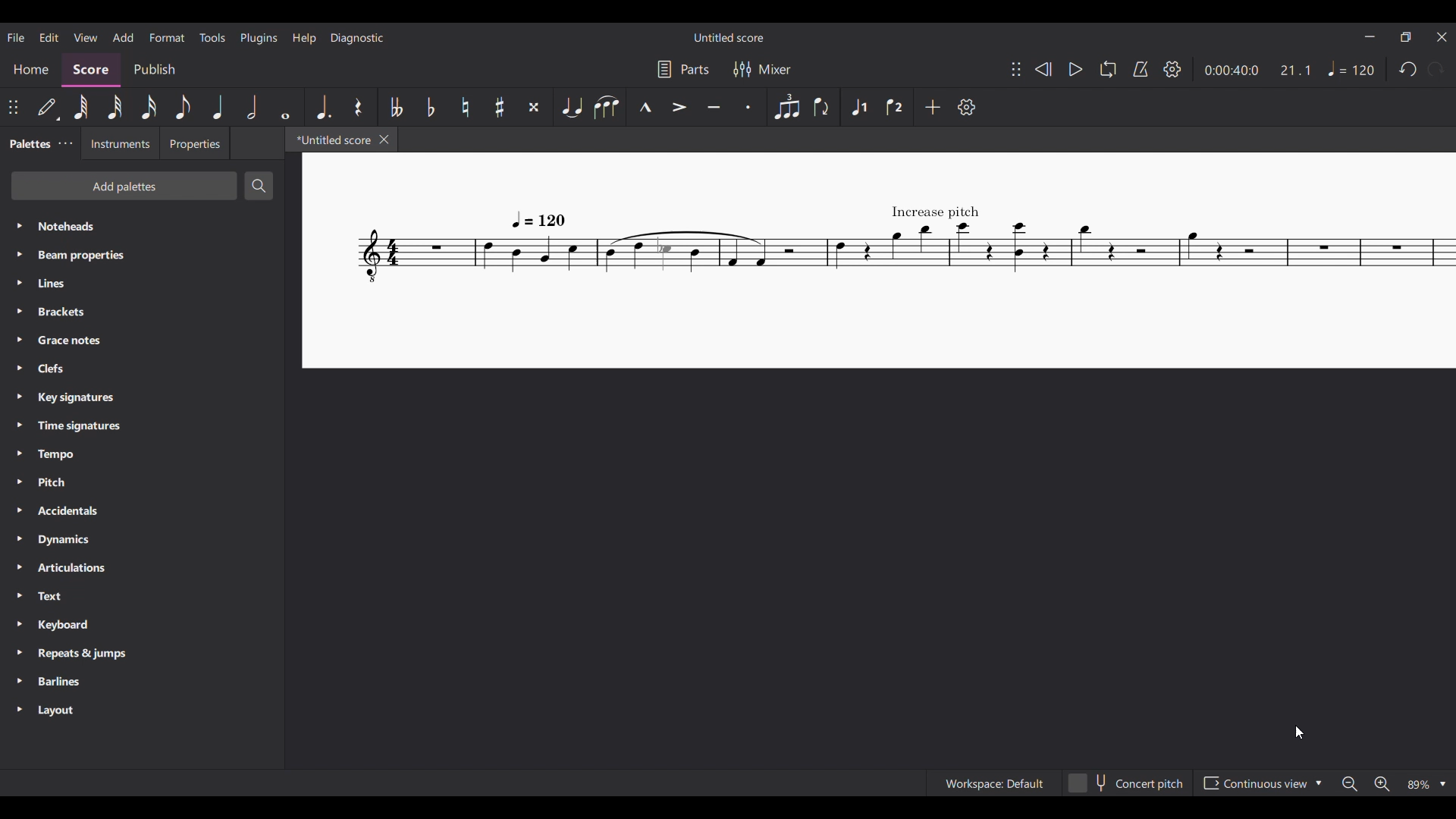 The width and height of the screenshot is (1456, 819). I want to click on Staccato, so click(748, 107).